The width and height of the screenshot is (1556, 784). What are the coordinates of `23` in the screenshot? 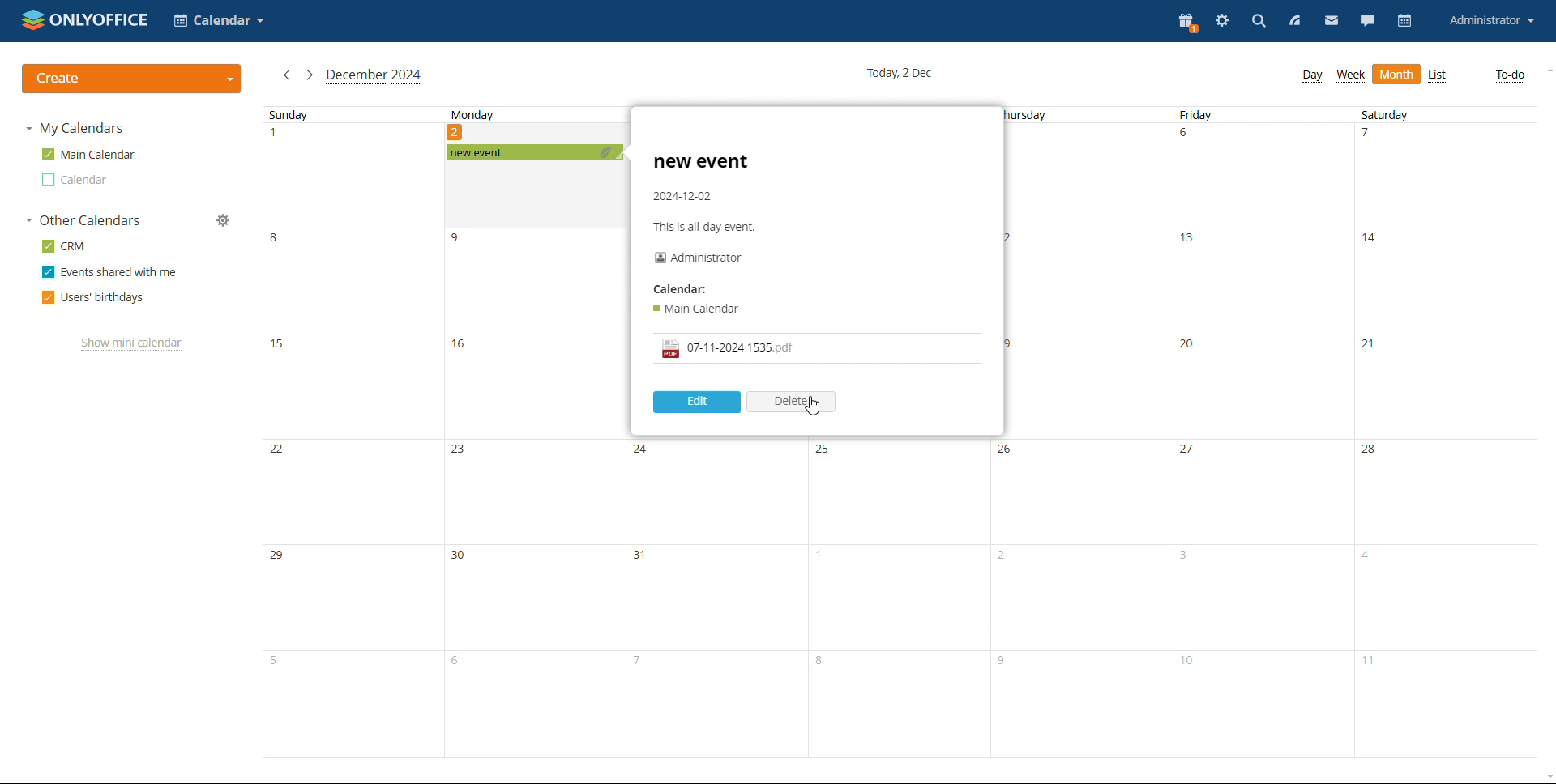 It's located at (461, 453).